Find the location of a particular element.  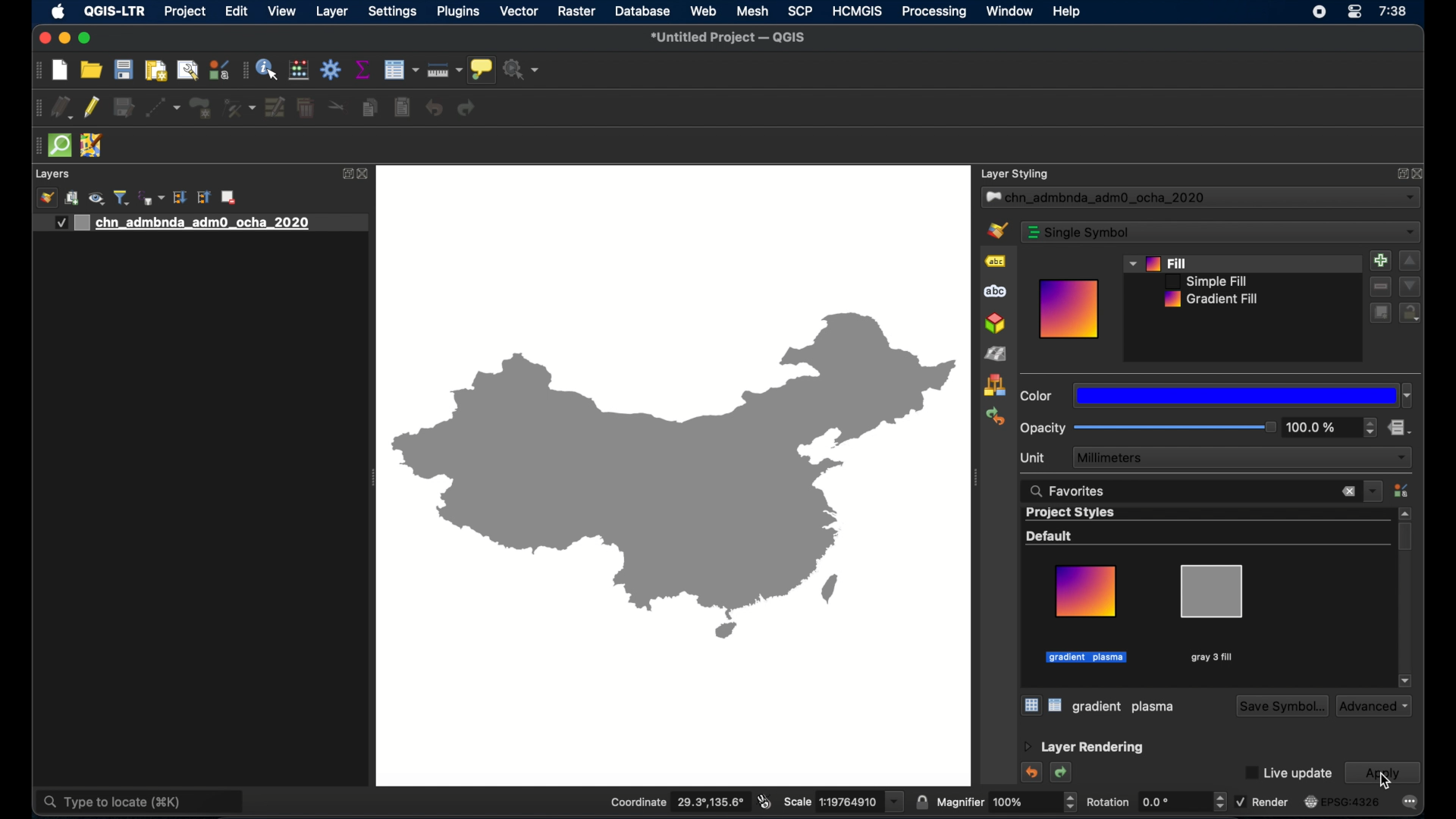

open layer styling panel is located at coordinates (47, 197).